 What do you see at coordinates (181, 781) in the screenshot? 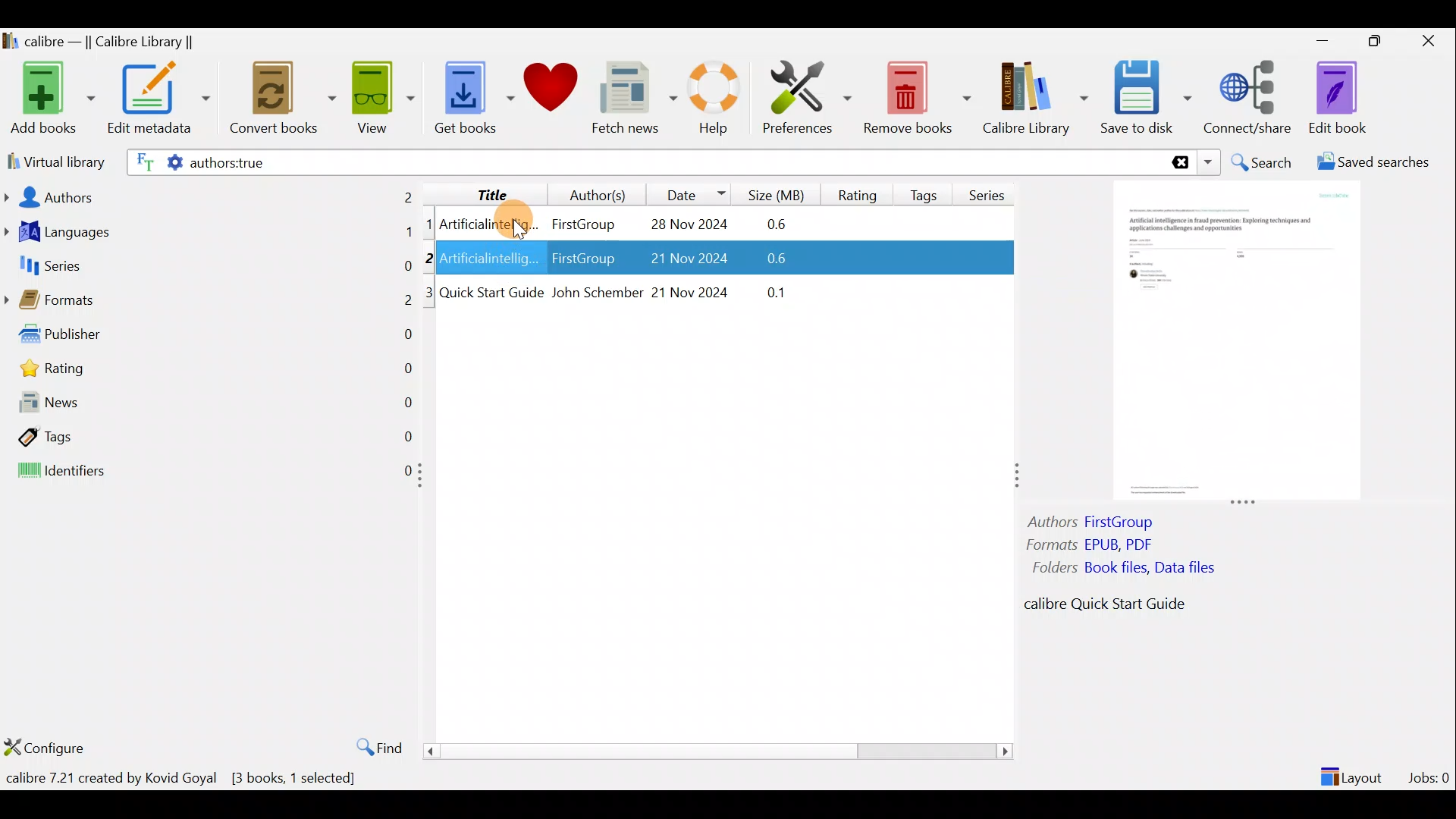
I see `calibre 7.21 created by Kovid Goyal [3 books, 1 selected]` at bounding box center [181, 781].